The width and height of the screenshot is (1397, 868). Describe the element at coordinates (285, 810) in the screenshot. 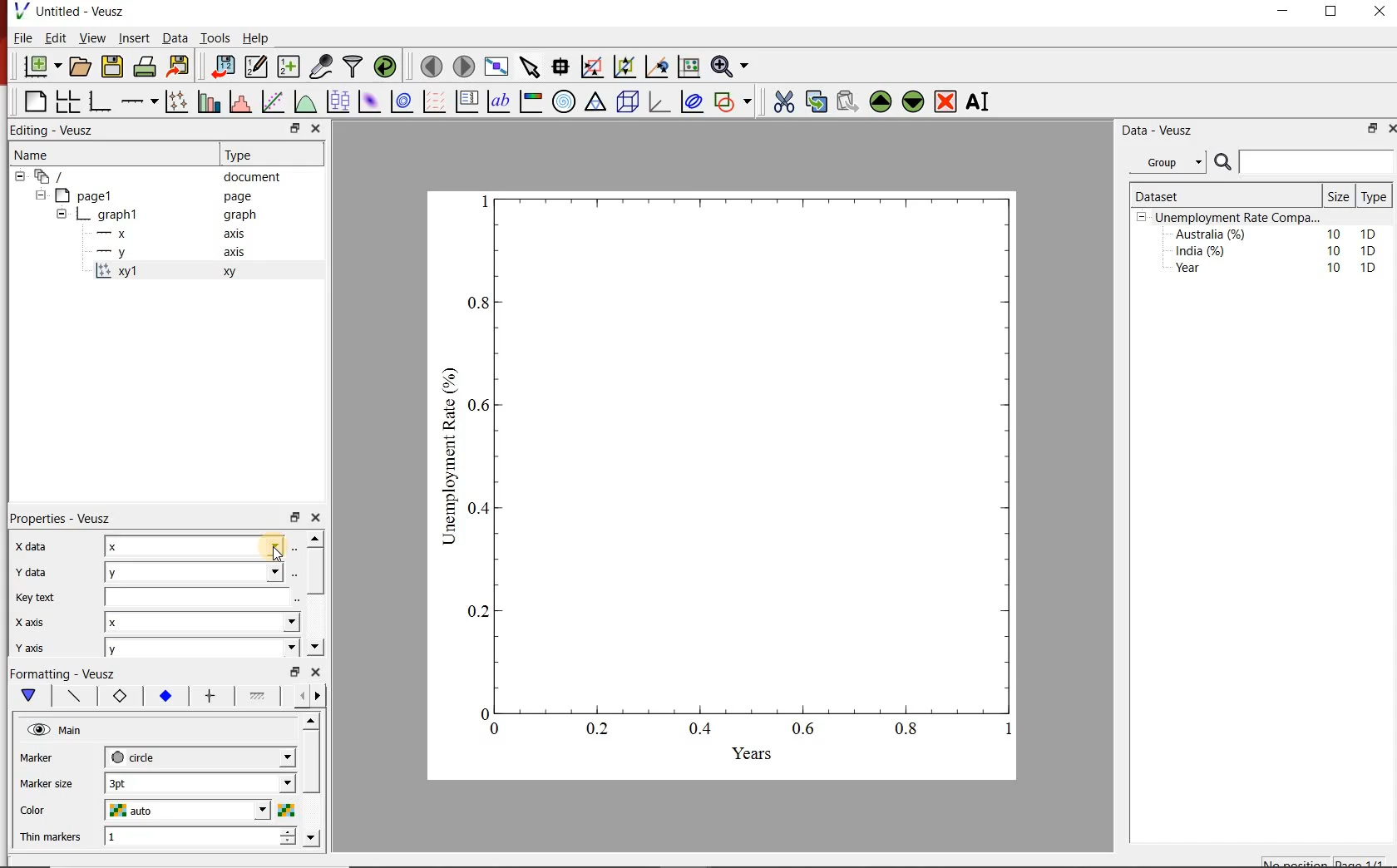

I see `choose color` at that location.